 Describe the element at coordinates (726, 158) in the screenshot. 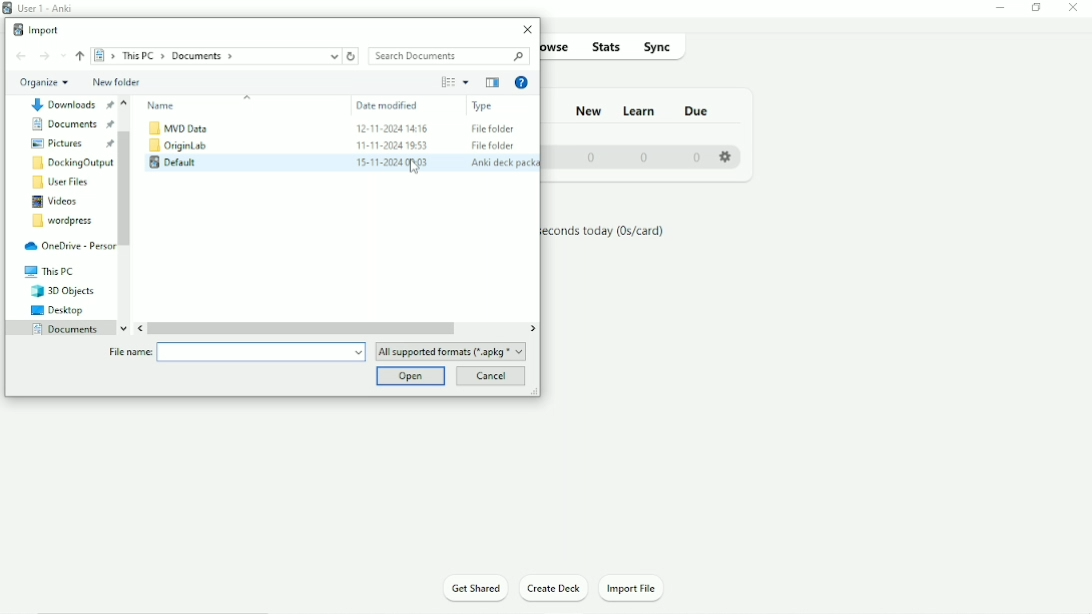

I see `Settings` at that location.